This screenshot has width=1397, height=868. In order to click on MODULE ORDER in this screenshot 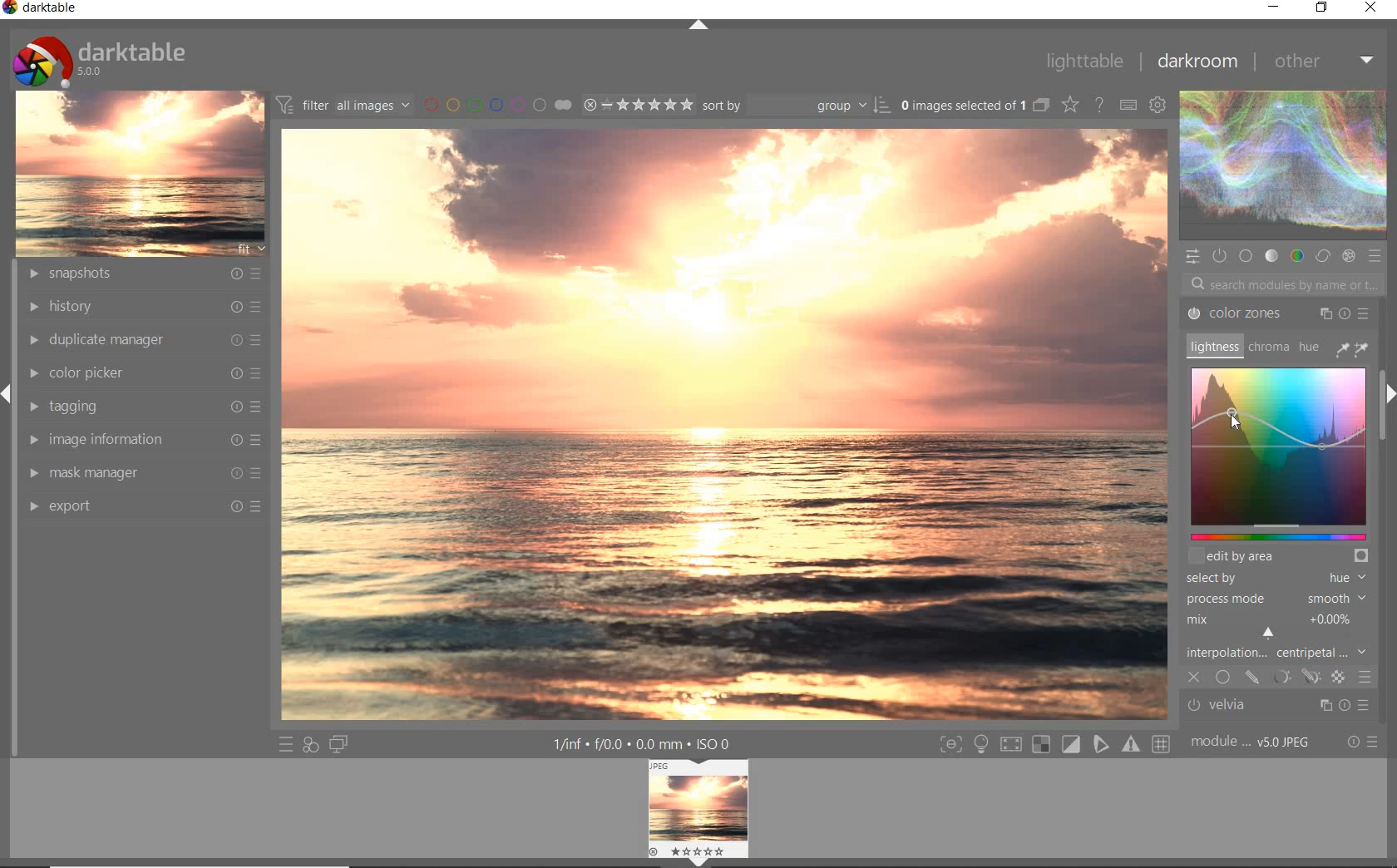, I will do `click(1252, 742)`.